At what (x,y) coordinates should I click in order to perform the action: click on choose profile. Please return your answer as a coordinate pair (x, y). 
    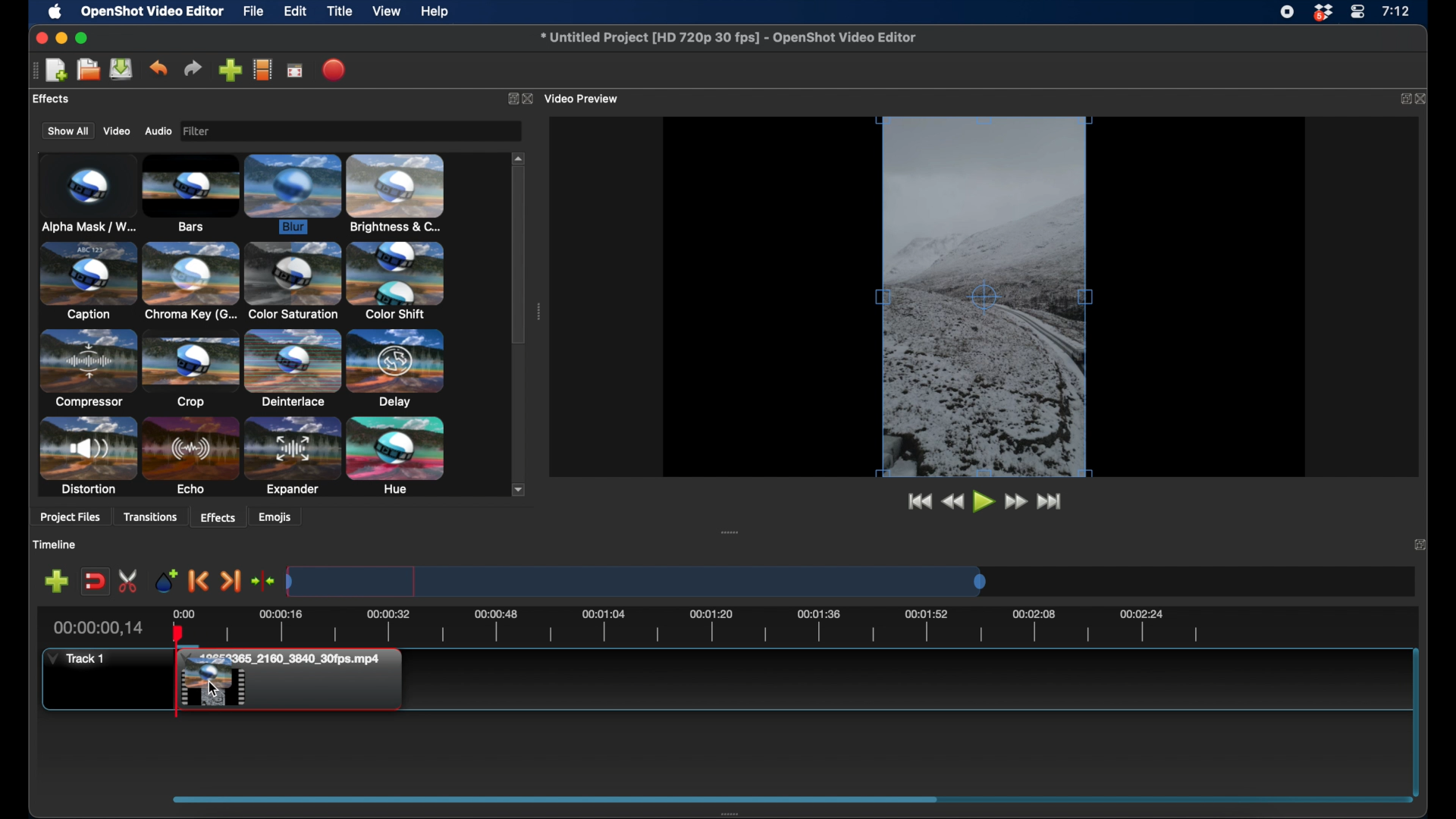
    Looking at the image, I should click on (263, 69).